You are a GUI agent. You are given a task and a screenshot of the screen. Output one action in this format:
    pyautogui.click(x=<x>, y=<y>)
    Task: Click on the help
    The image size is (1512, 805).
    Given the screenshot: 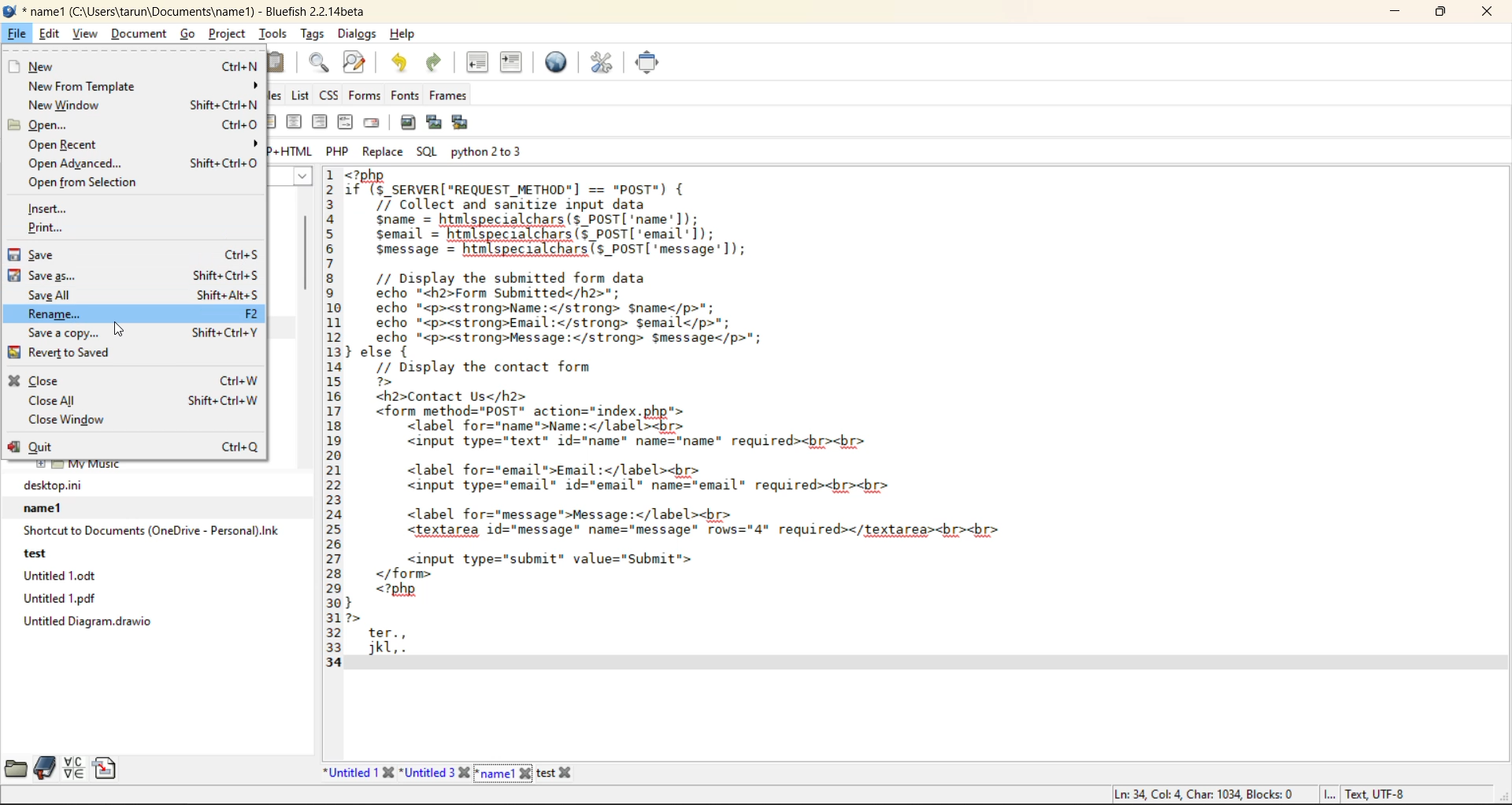 What is the action you would take?
    pyautogui.click(x=406, y=35)
    